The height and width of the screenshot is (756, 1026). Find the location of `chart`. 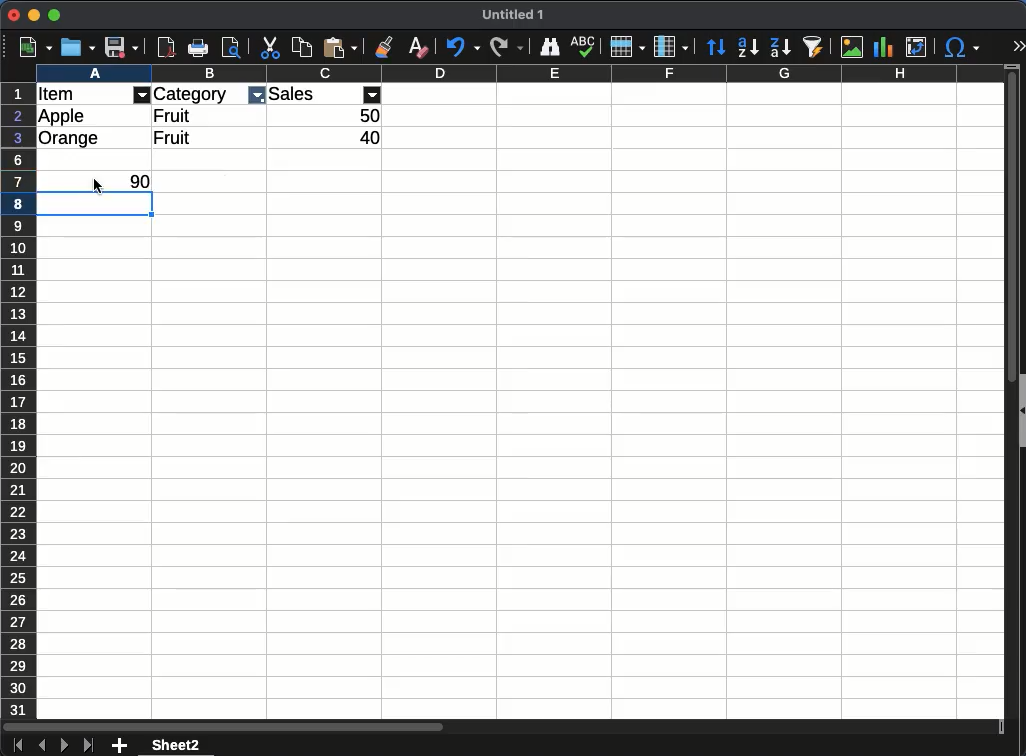

chart is located at coordinates (887, 47).